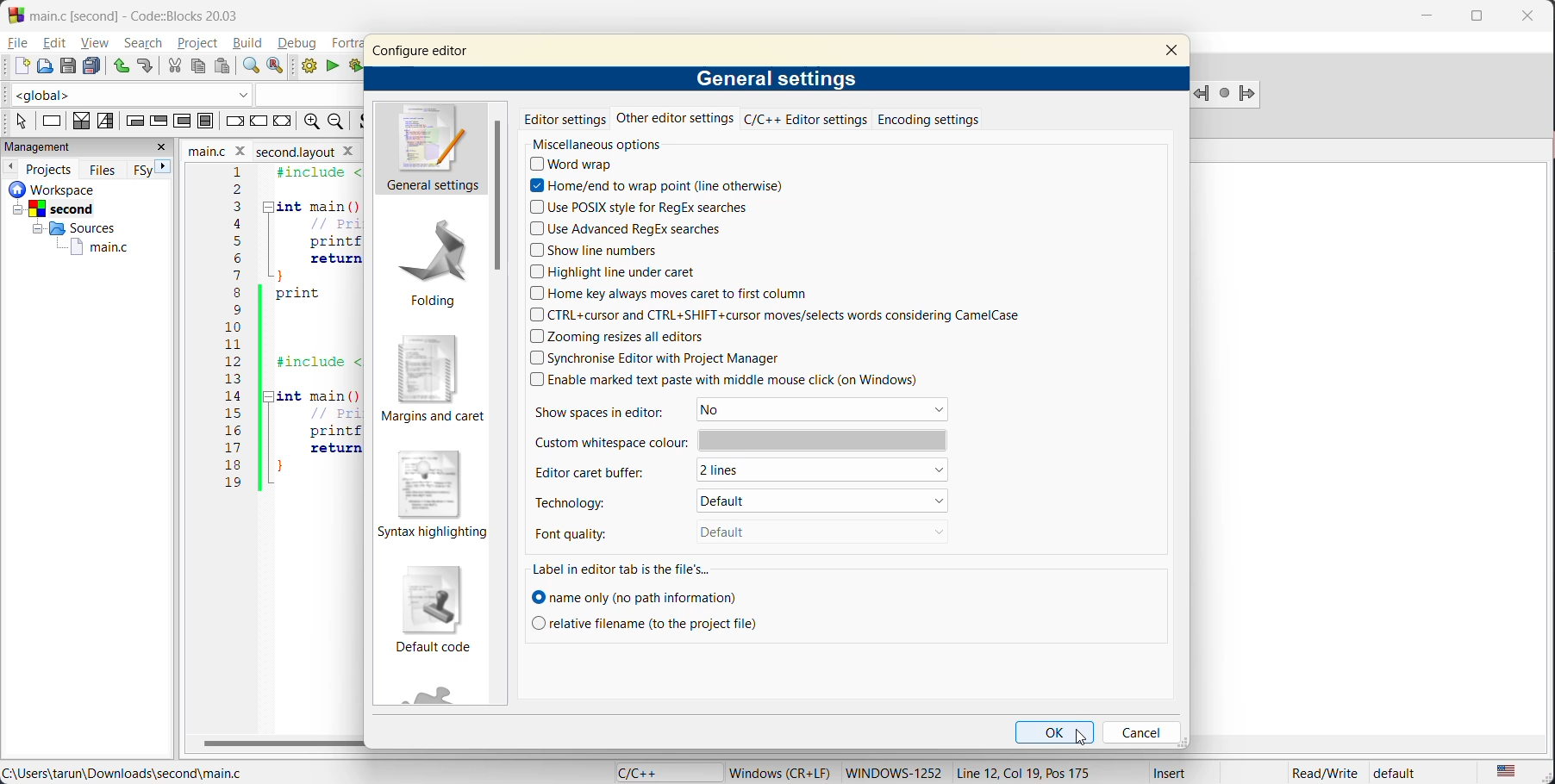 The height and width of the screenshot is (784, 1555). I want to click on technology, so click(595, 500).